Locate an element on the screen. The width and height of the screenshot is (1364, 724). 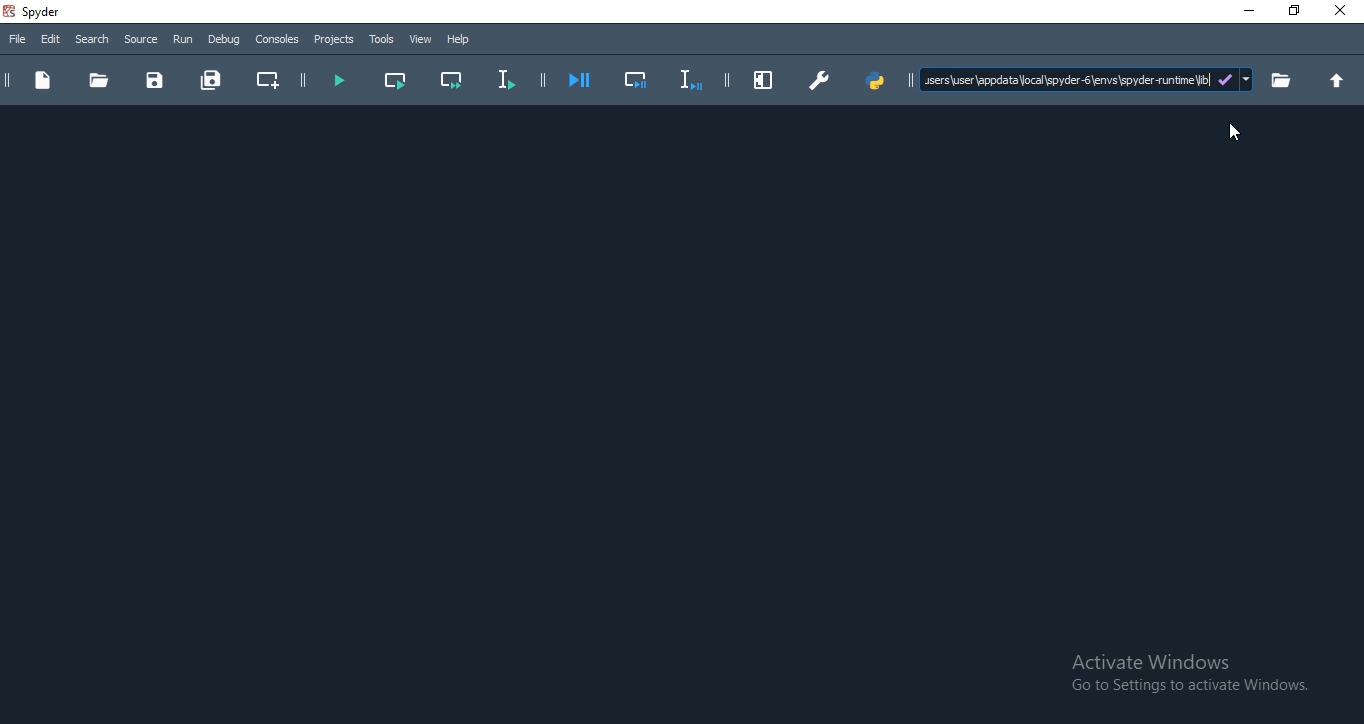
run current cell is located at coordinates (393, 78).